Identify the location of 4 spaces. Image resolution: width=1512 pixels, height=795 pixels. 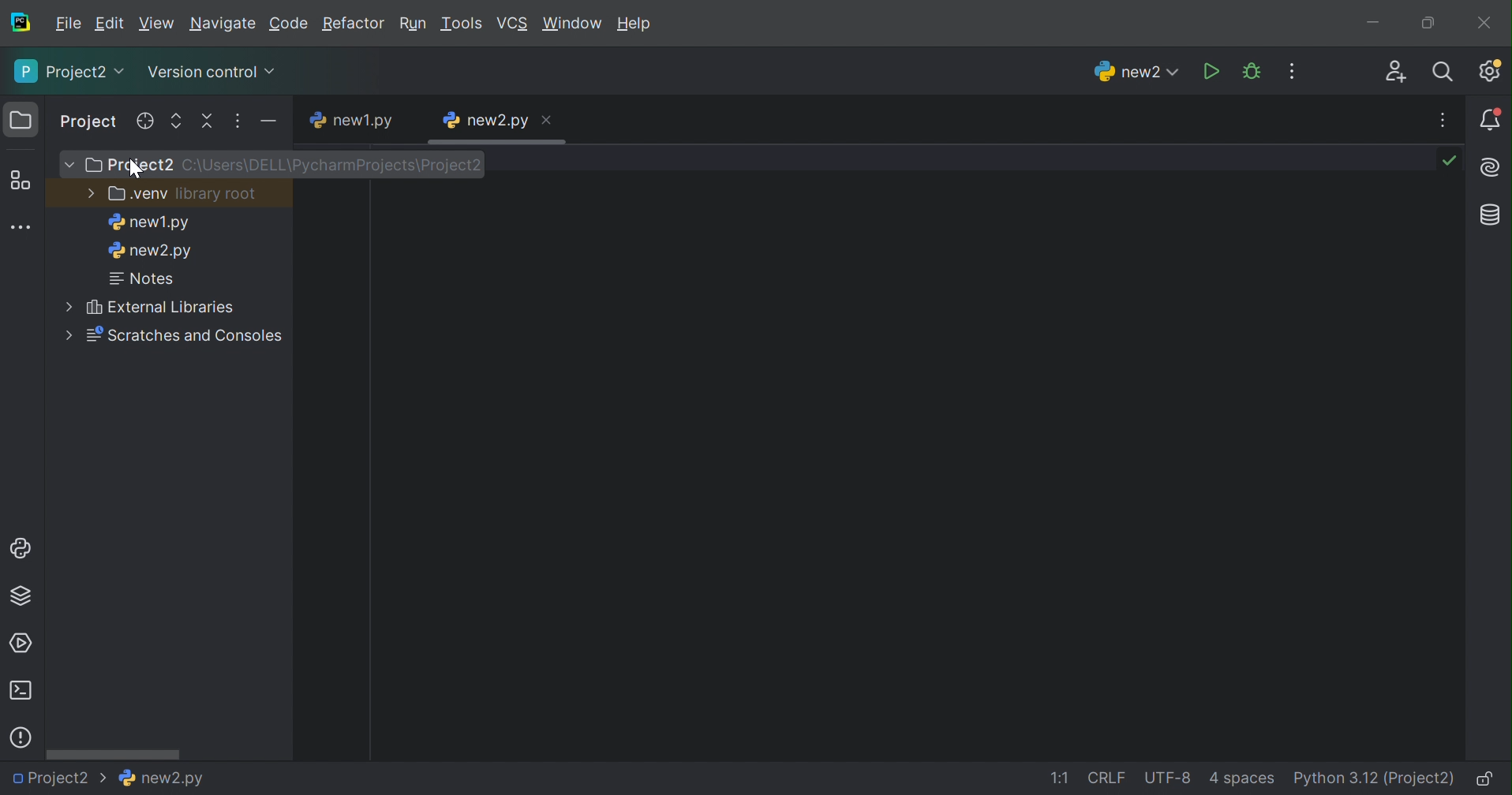
(1244, 779).